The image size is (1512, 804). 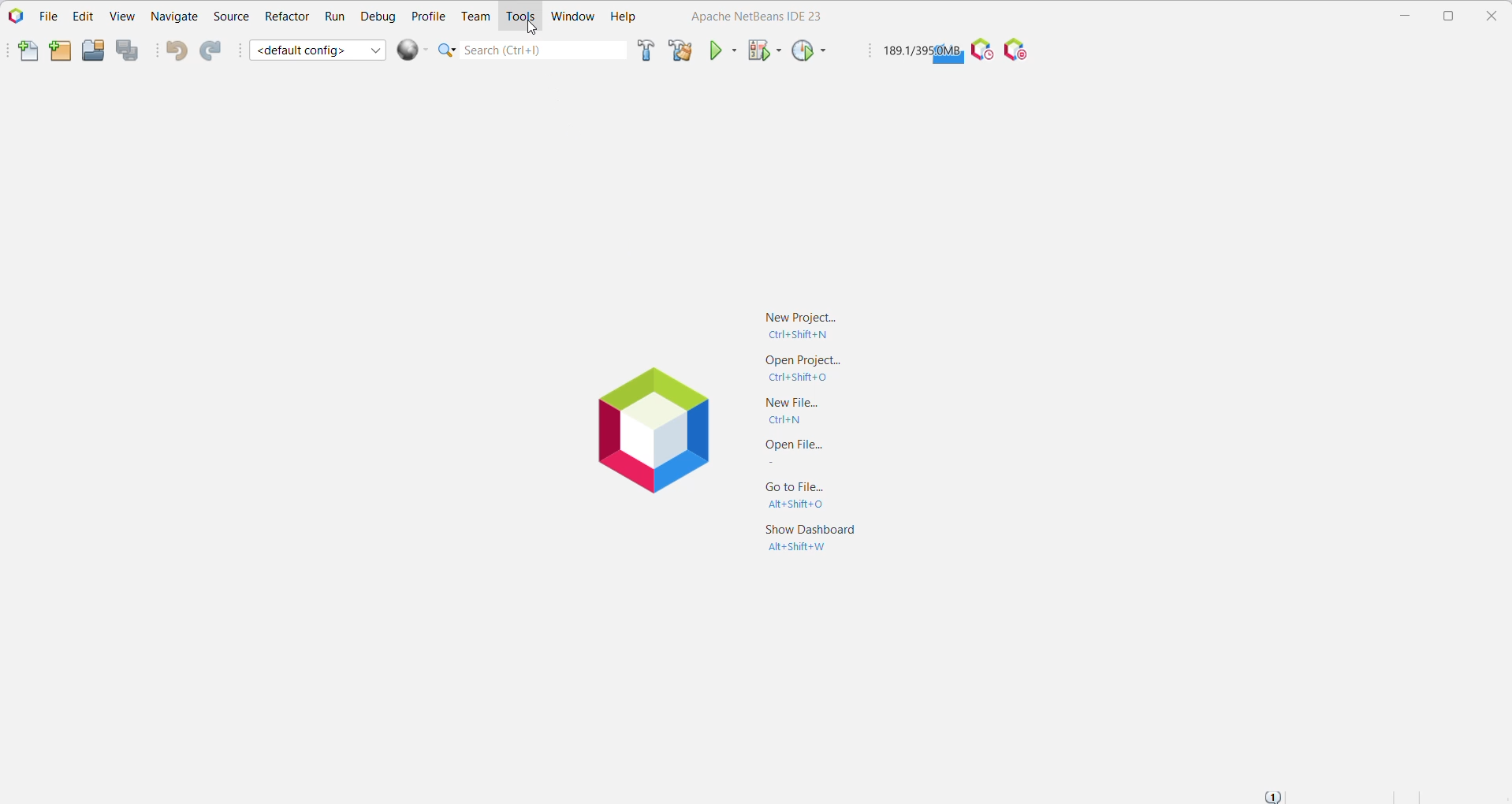 I want to click on Team, so click(x=474, y=16).